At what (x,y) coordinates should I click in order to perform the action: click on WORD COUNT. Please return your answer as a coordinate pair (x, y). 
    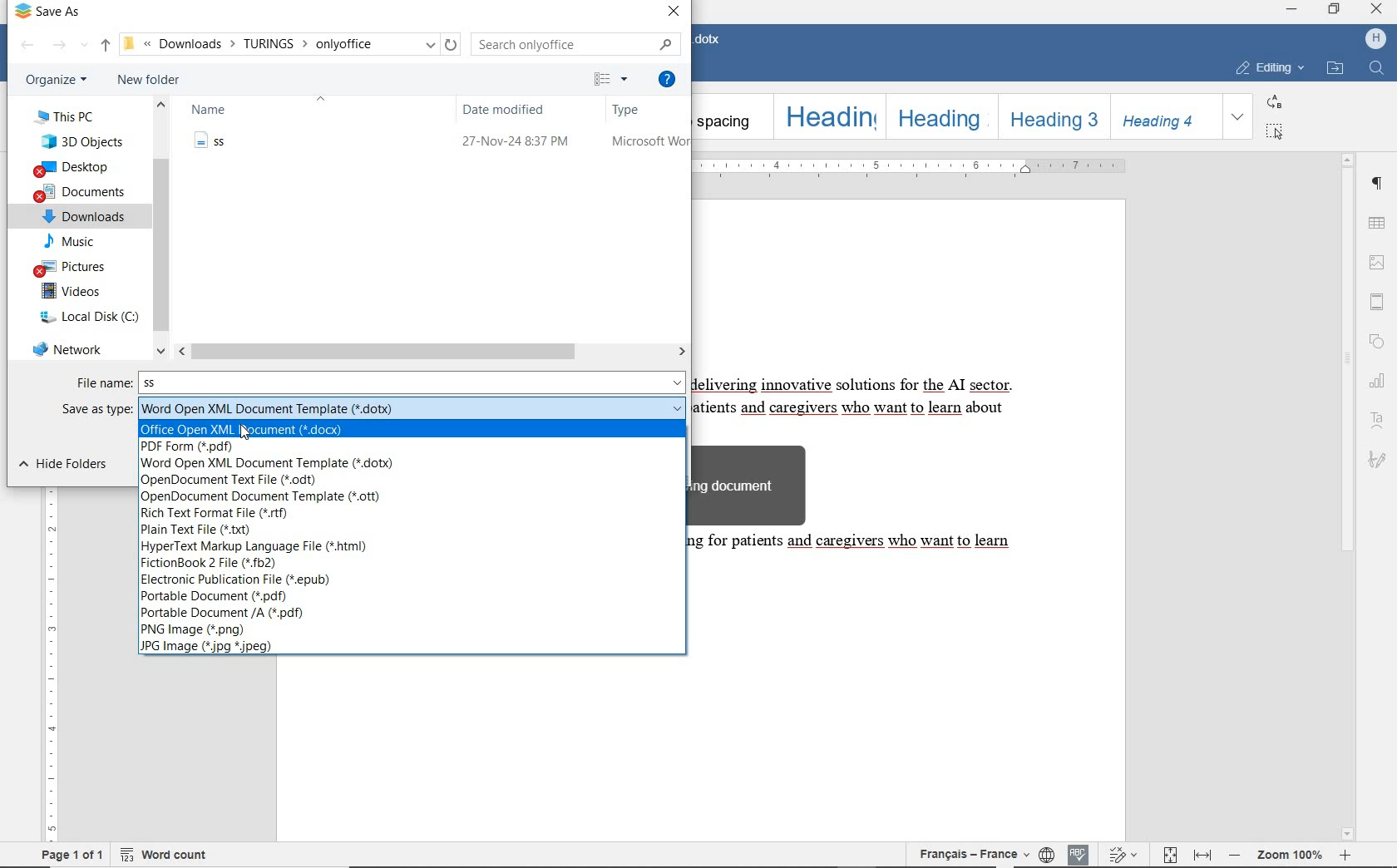
    Looking at the image, I should click on (171, 853).